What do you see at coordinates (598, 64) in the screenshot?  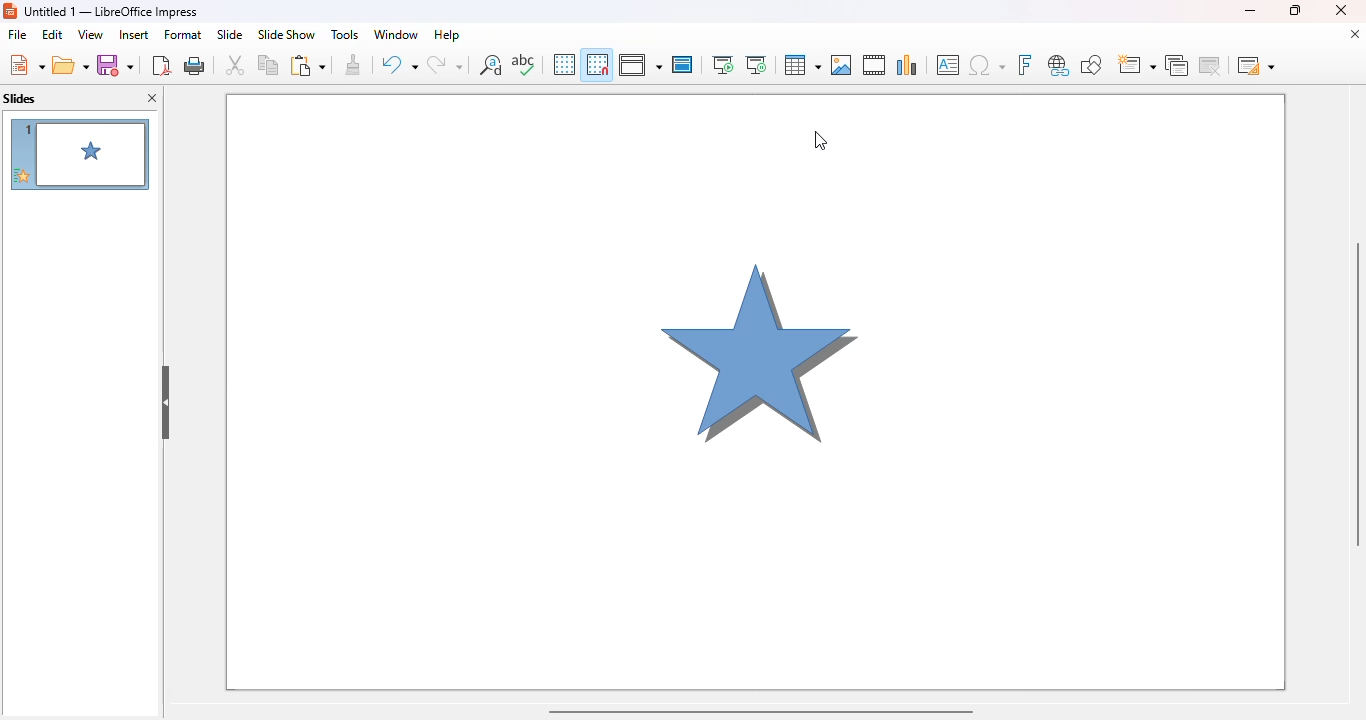 I see `snap to grid` at bounding box center [598, 64].